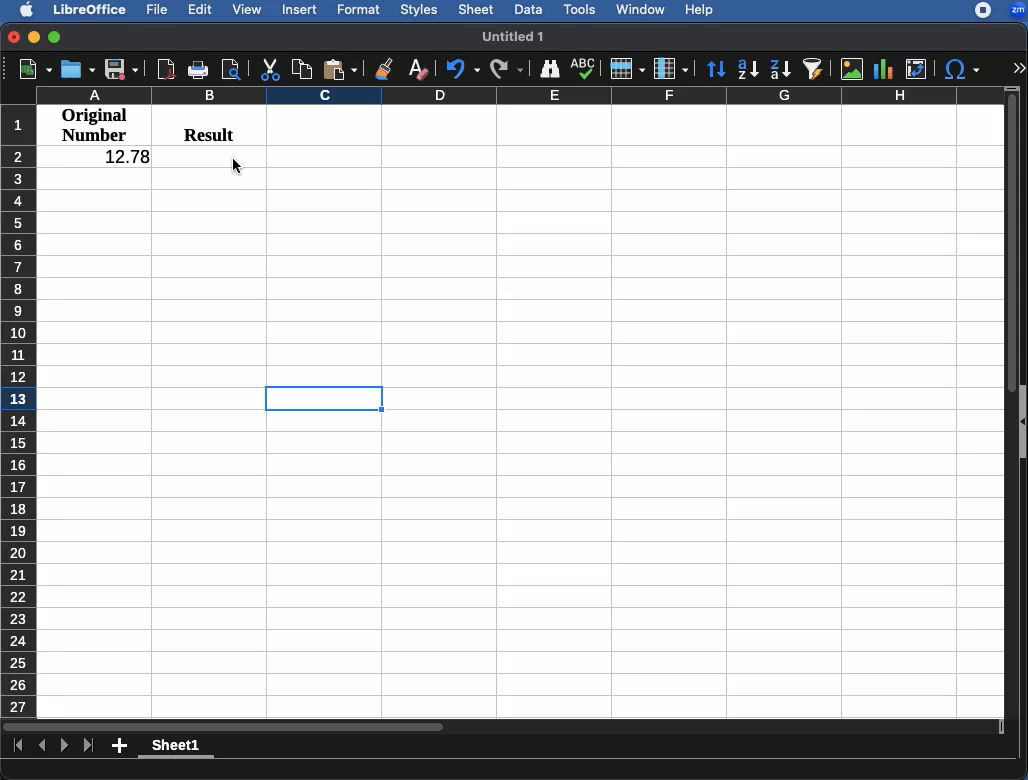 This screenshot has height=780, width=1028. What do you see at coordinates (746, 70) in the screenshot?
I see `Ascending` at bounding box center [746, 70].